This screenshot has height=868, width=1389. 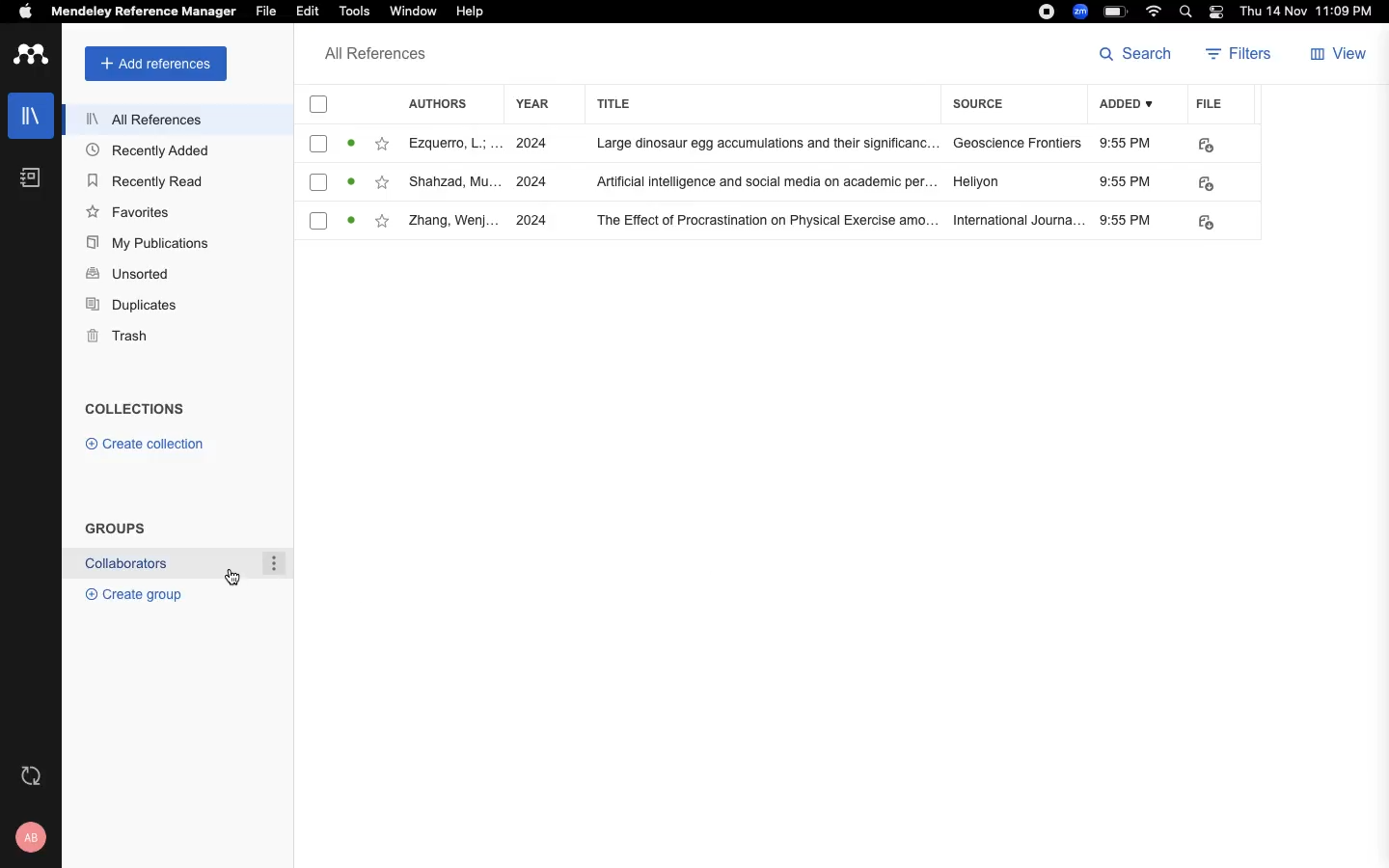 I want to click on Collaborators, so click(x=127, y=563).